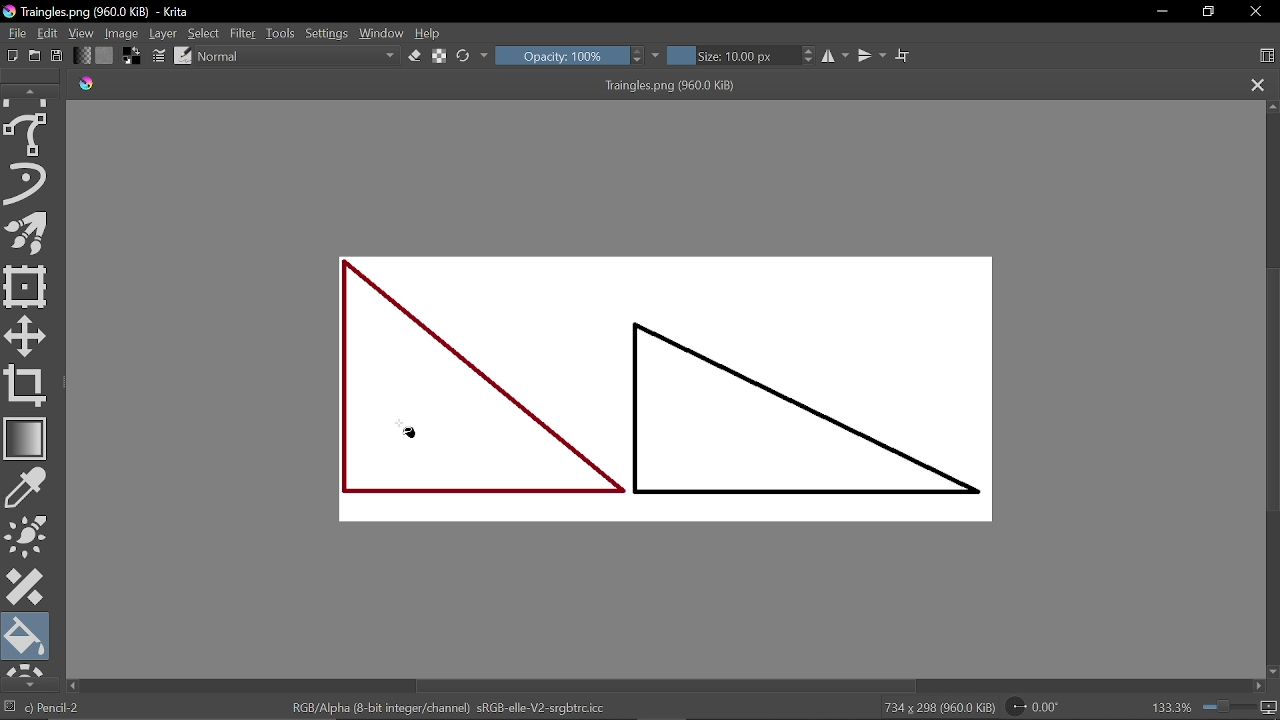  What do you see at coordinates (82, 34) in the screenshot?
I see `View` at bounding box center [82, 34].